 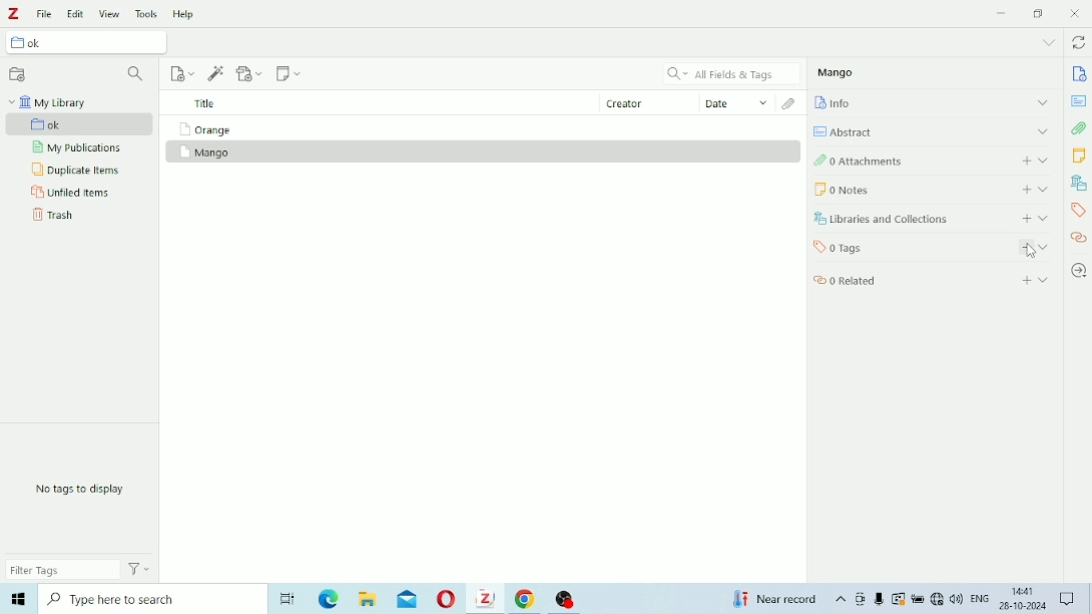 I want to click on Zotero, so click(x=487, y=599).